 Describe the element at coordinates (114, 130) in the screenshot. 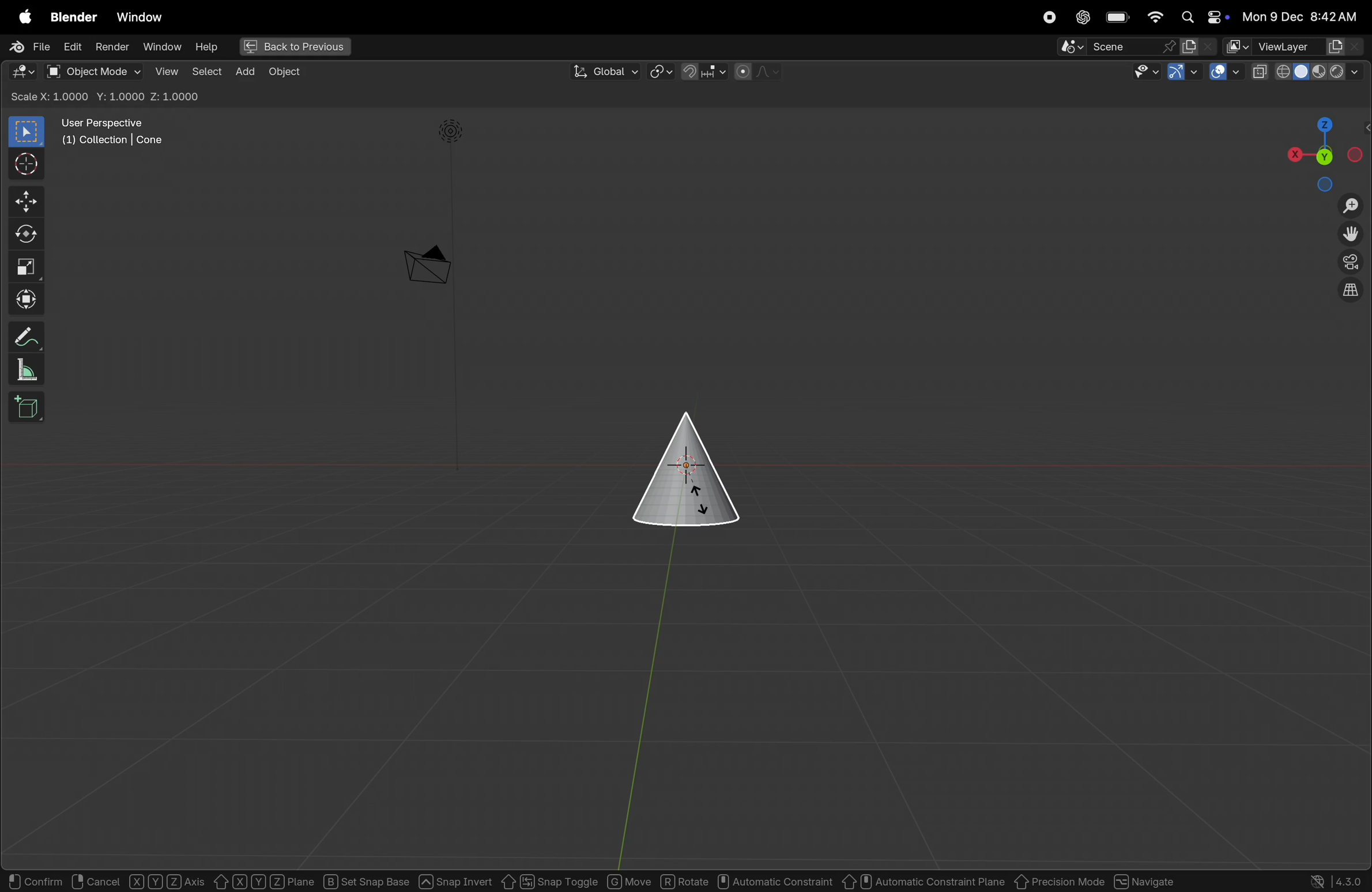

I see `user perspective` at that location.